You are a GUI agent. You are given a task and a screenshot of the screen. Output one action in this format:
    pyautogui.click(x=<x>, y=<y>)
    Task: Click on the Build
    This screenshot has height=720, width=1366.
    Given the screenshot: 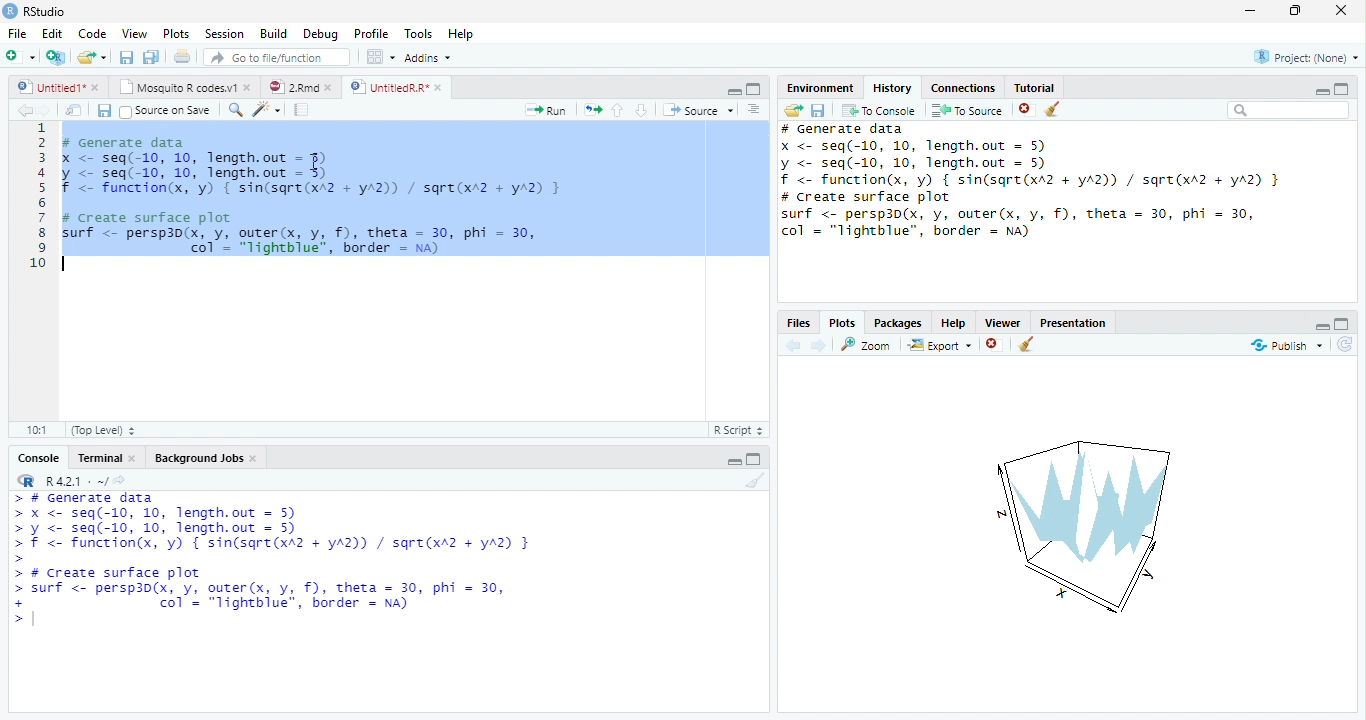 What is the action you would take?
    pyautogui.click(x=273, y=33)
    